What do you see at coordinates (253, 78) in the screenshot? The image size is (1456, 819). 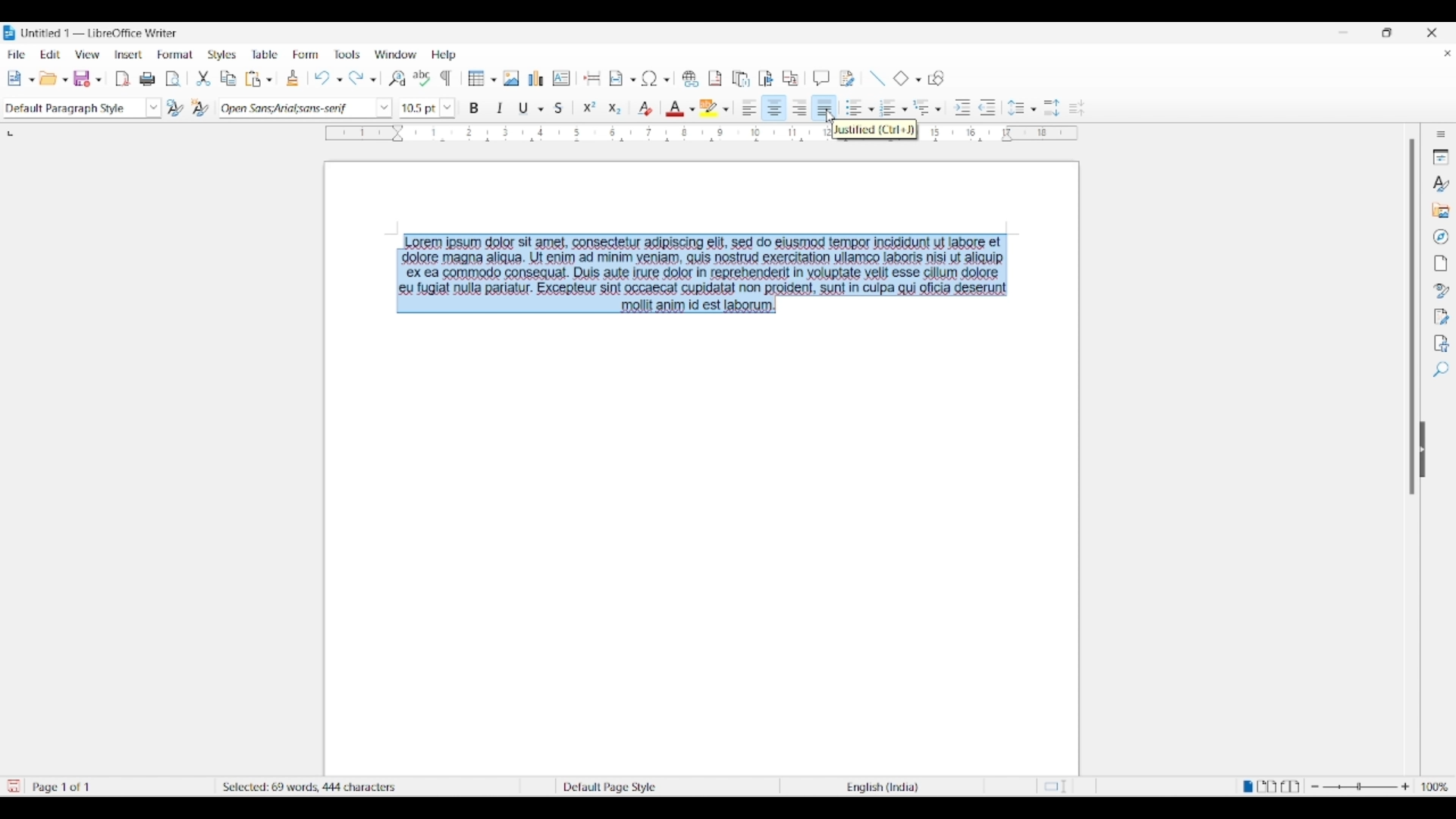 I see `Selected paste option` at bounding box center [253, 78].